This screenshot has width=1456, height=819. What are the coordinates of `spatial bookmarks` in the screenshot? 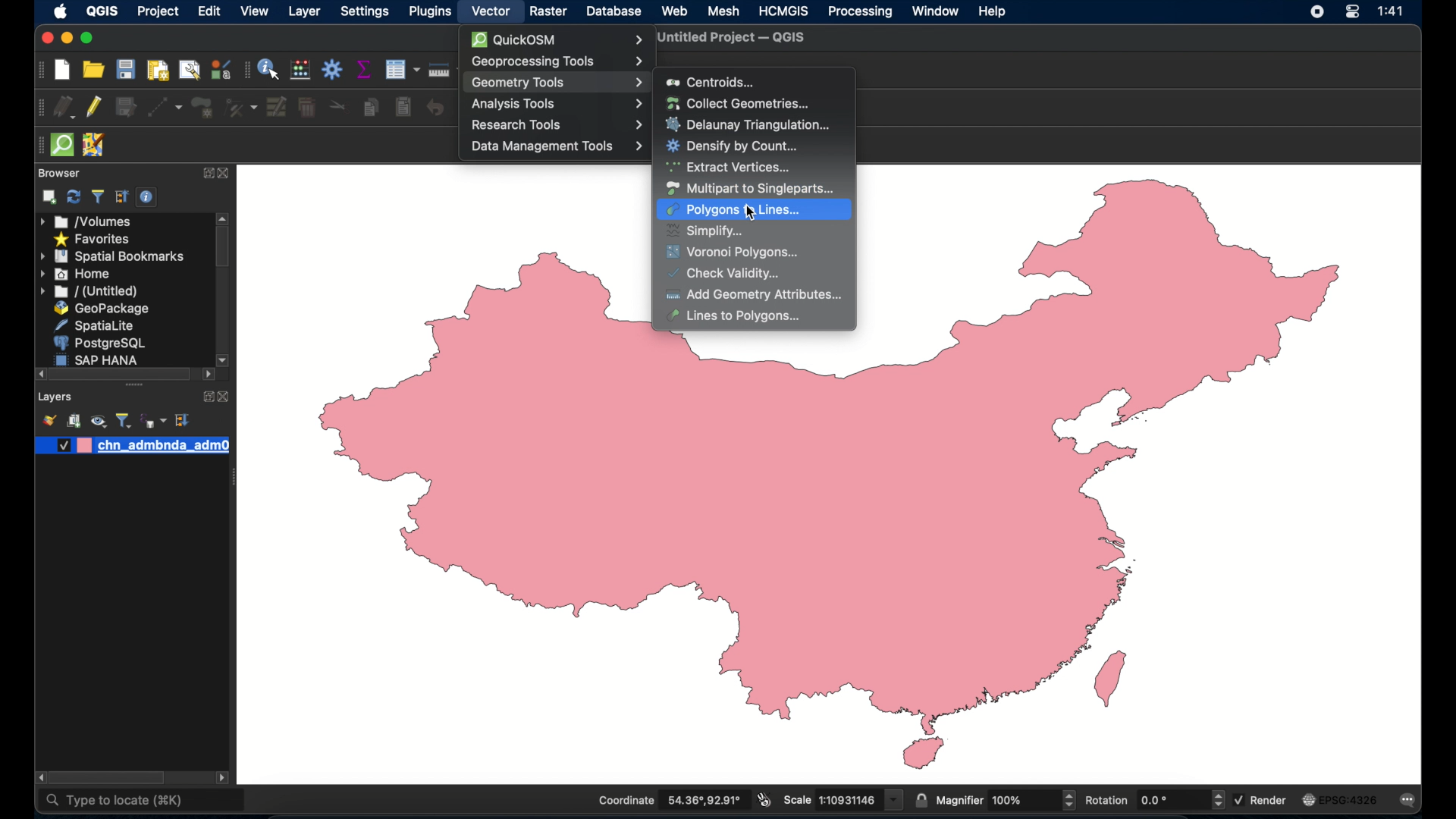 It's located at (113, 257).